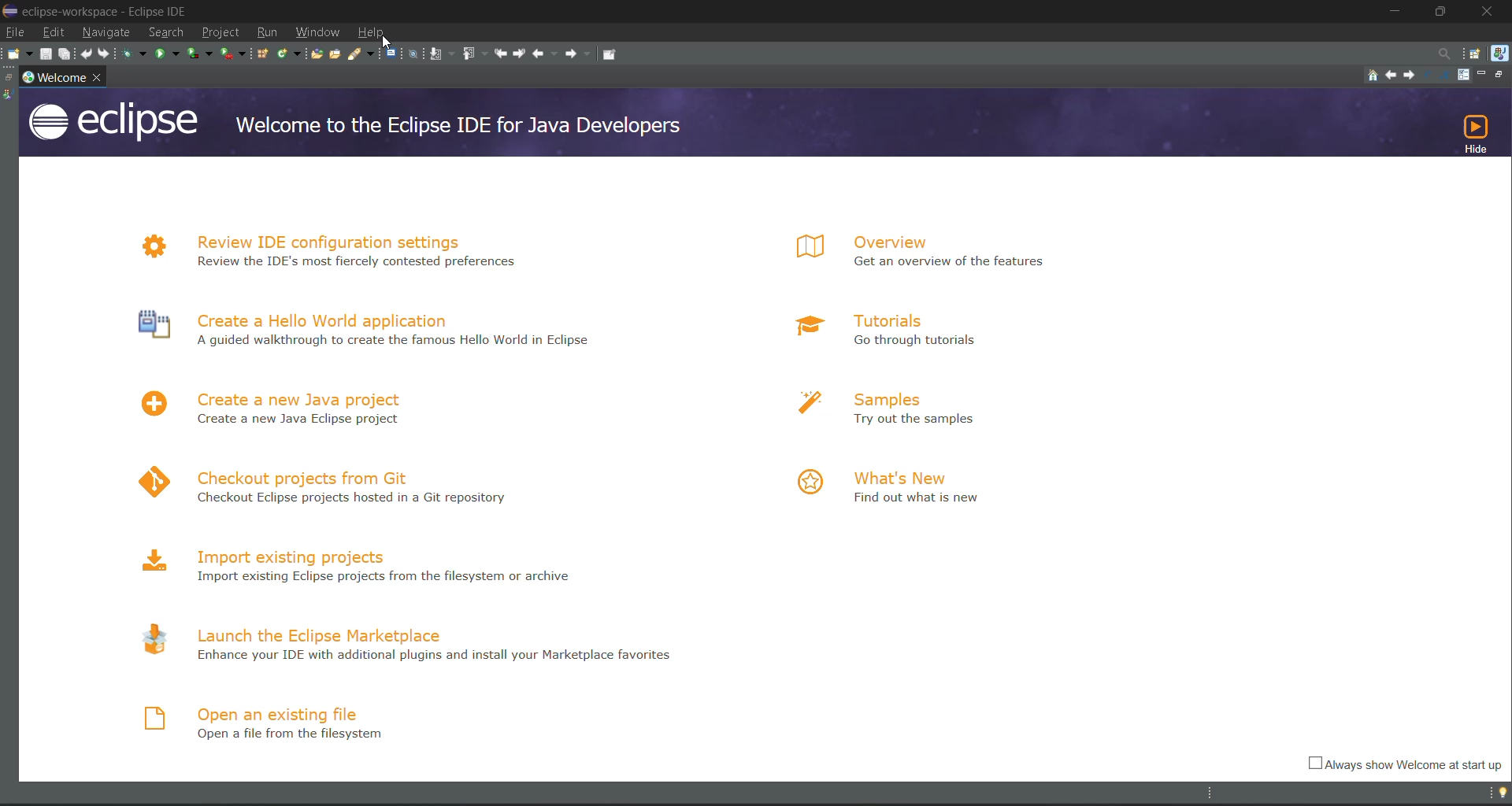 Image resolution: width=1512 pixels, height=806 pixels. Describe the element at coordinates (333, 471) in the screenshot. I see `checkout projects from Git` at that location.